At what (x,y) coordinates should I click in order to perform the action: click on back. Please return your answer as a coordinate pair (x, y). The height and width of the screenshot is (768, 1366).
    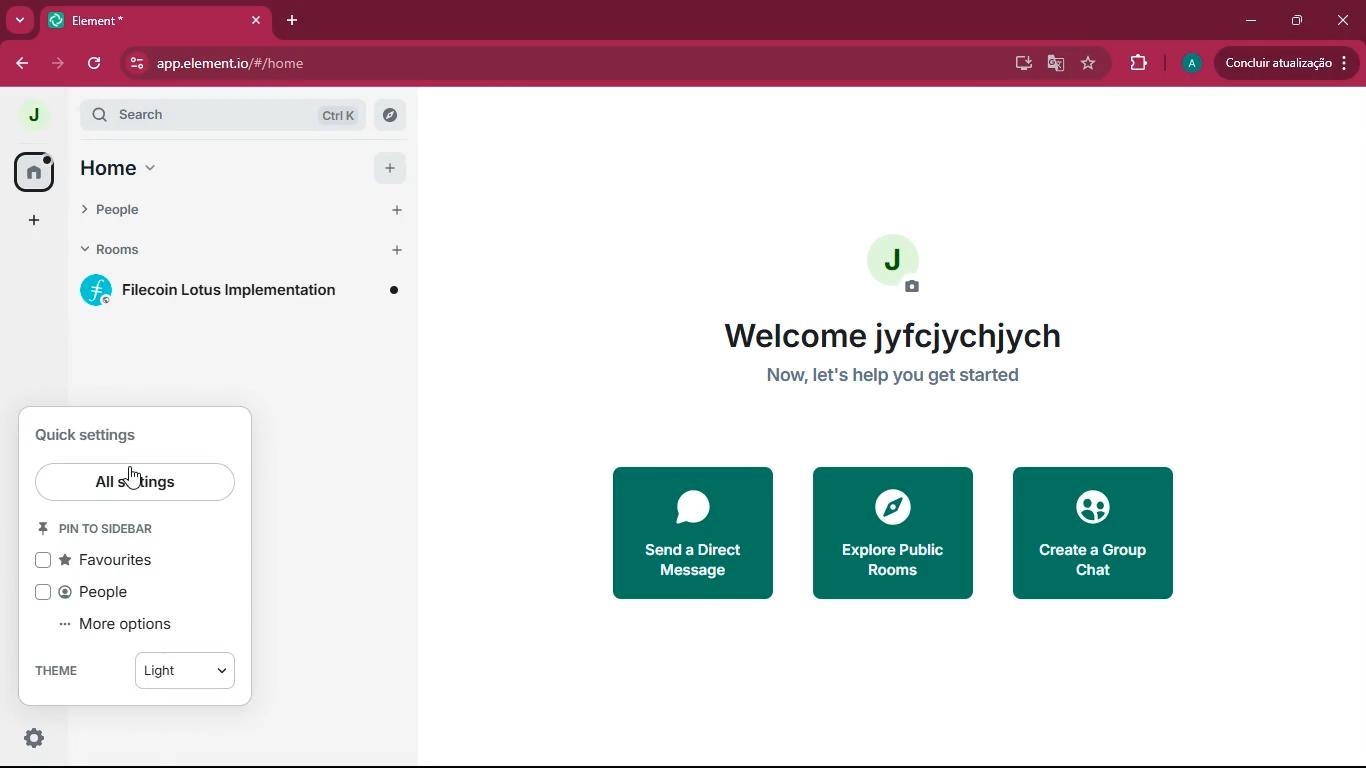
    Looking at the image, I should click on (22, 63).